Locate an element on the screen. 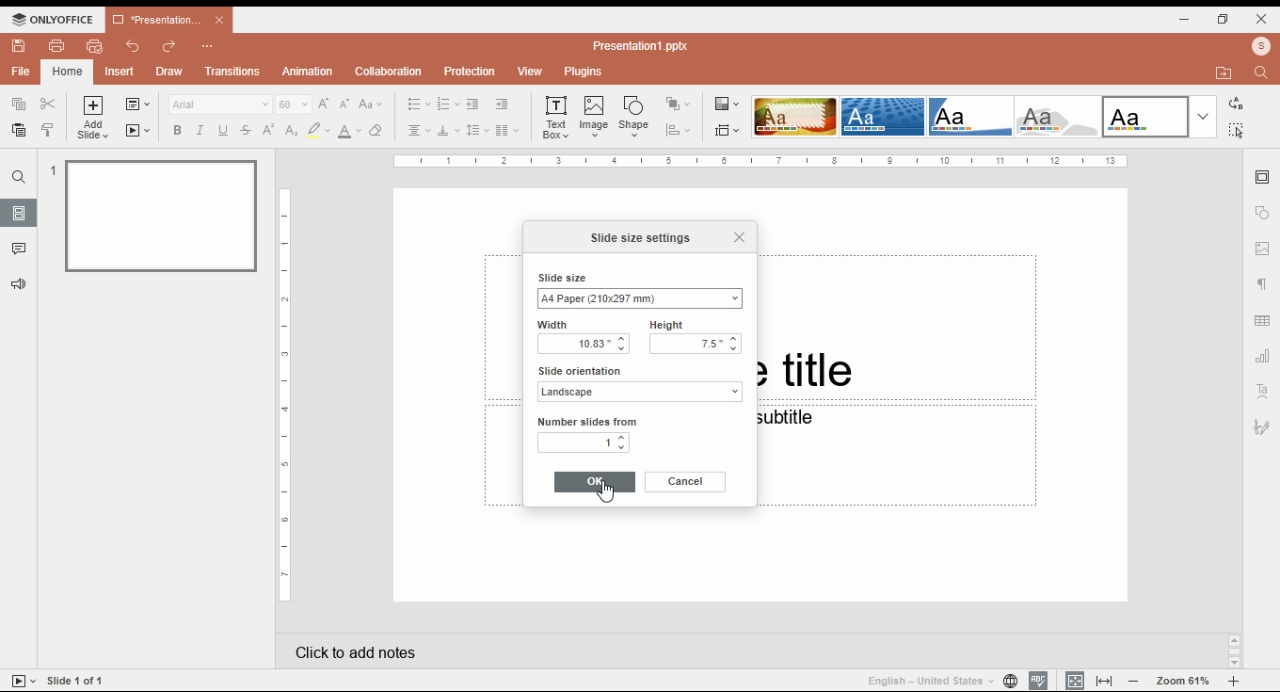 The image size is (1280, 692). line spacing is located at coordinates (478, 131).